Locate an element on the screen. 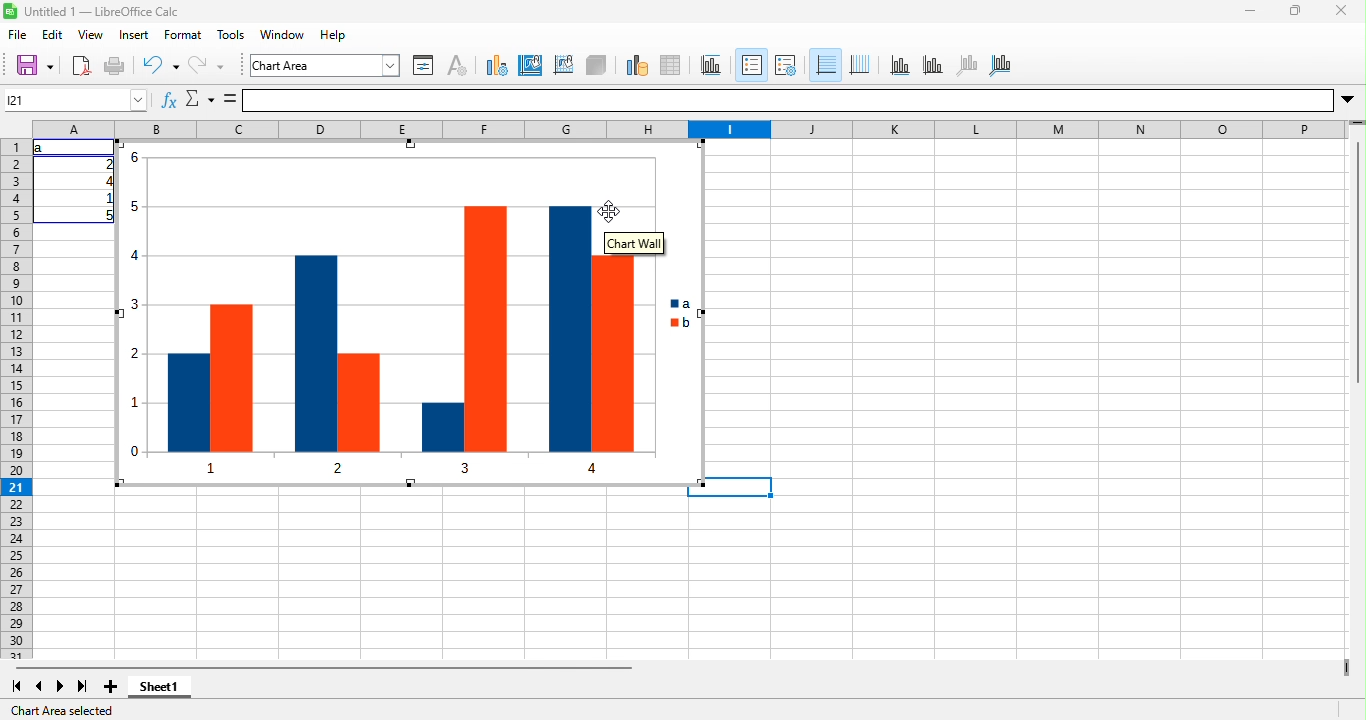  4 is located at coordinates (106, 181).